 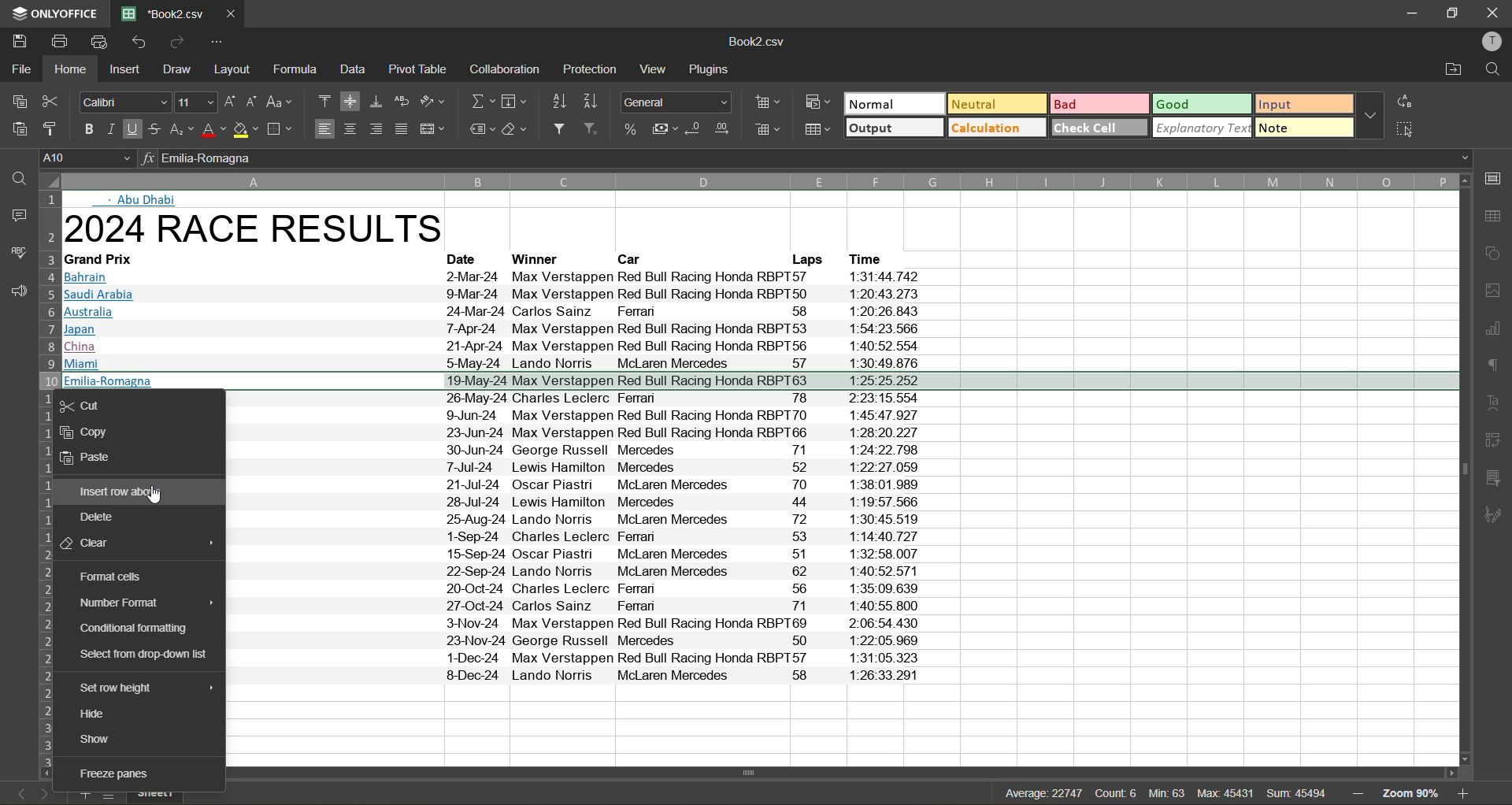 What do you see at coordinates (16, 183) in the screenshot?
I see `find` at bounding box center [16, 183].